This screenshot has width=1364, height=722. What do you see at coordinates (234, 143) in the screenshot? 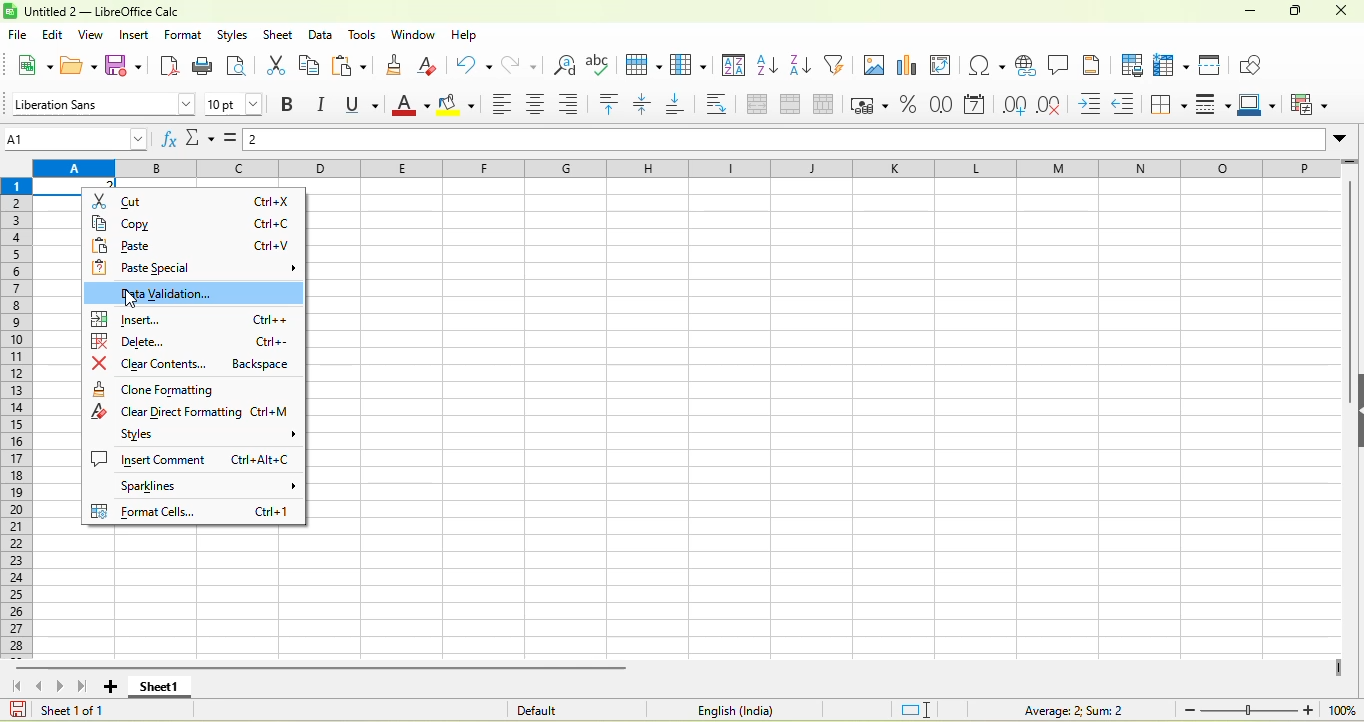
I see `formula` at bounding box center [234, 143].